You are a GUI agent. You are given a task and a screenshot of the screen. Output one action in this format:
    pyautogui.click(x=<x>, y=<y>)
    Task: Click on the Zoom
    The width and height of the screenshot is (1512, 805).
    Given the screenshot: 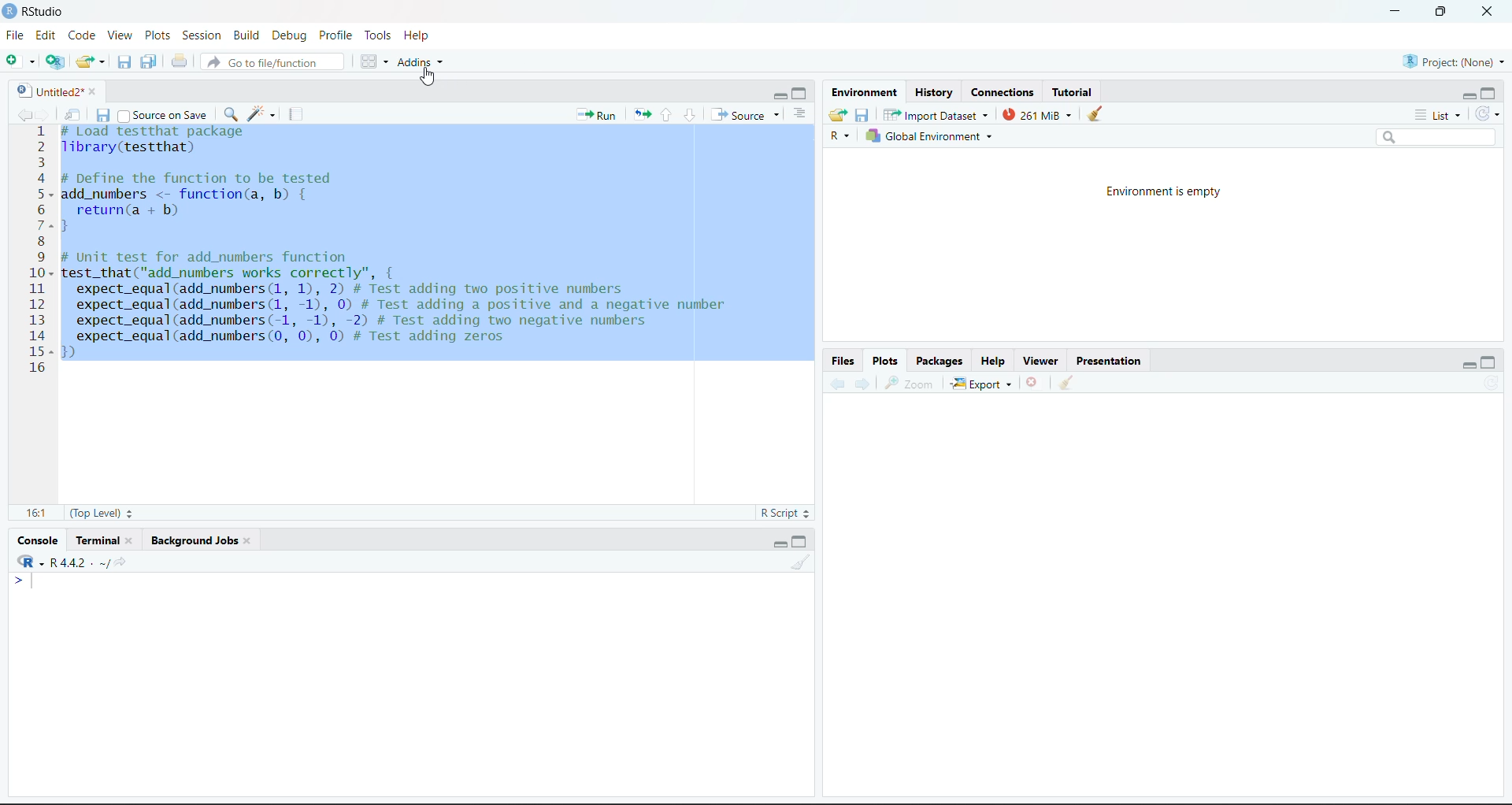 What is the action you would take?
    pyautogui.click(x=910, y=383)
    